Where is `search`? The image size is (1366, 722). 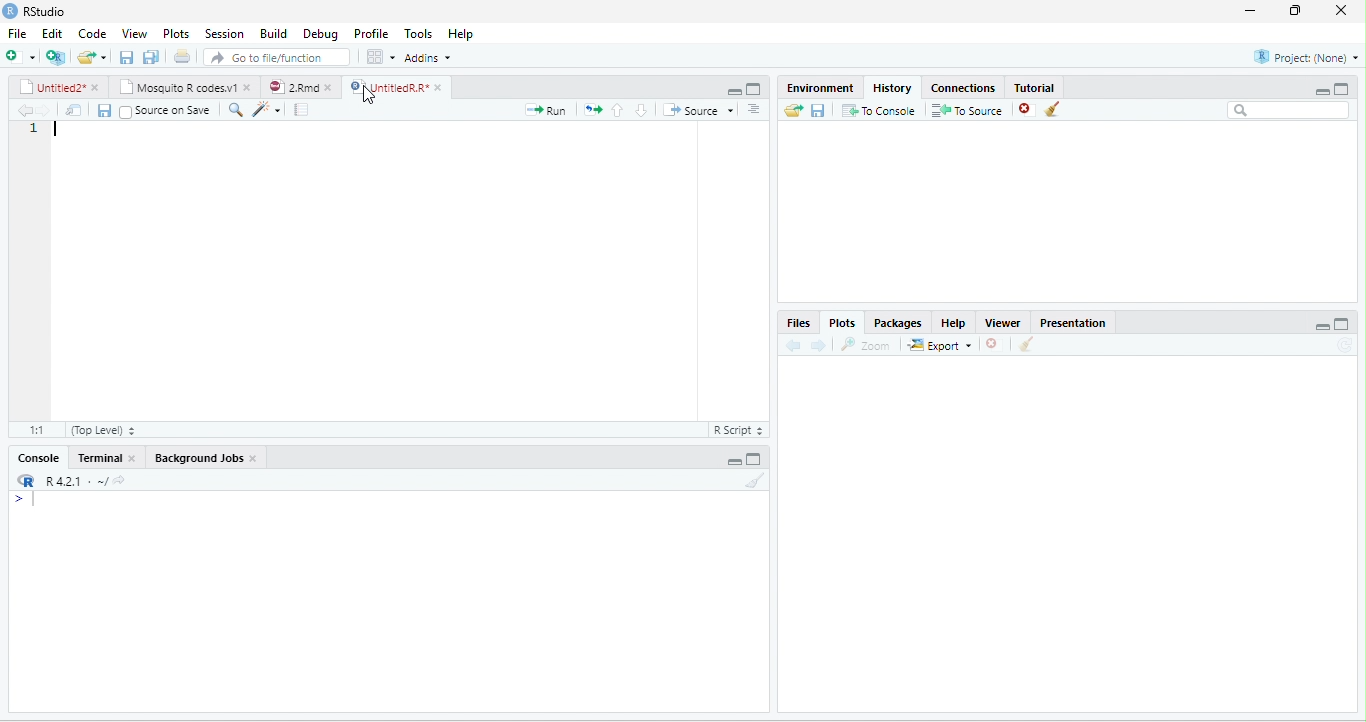 search is located at coordinates (259, 109).